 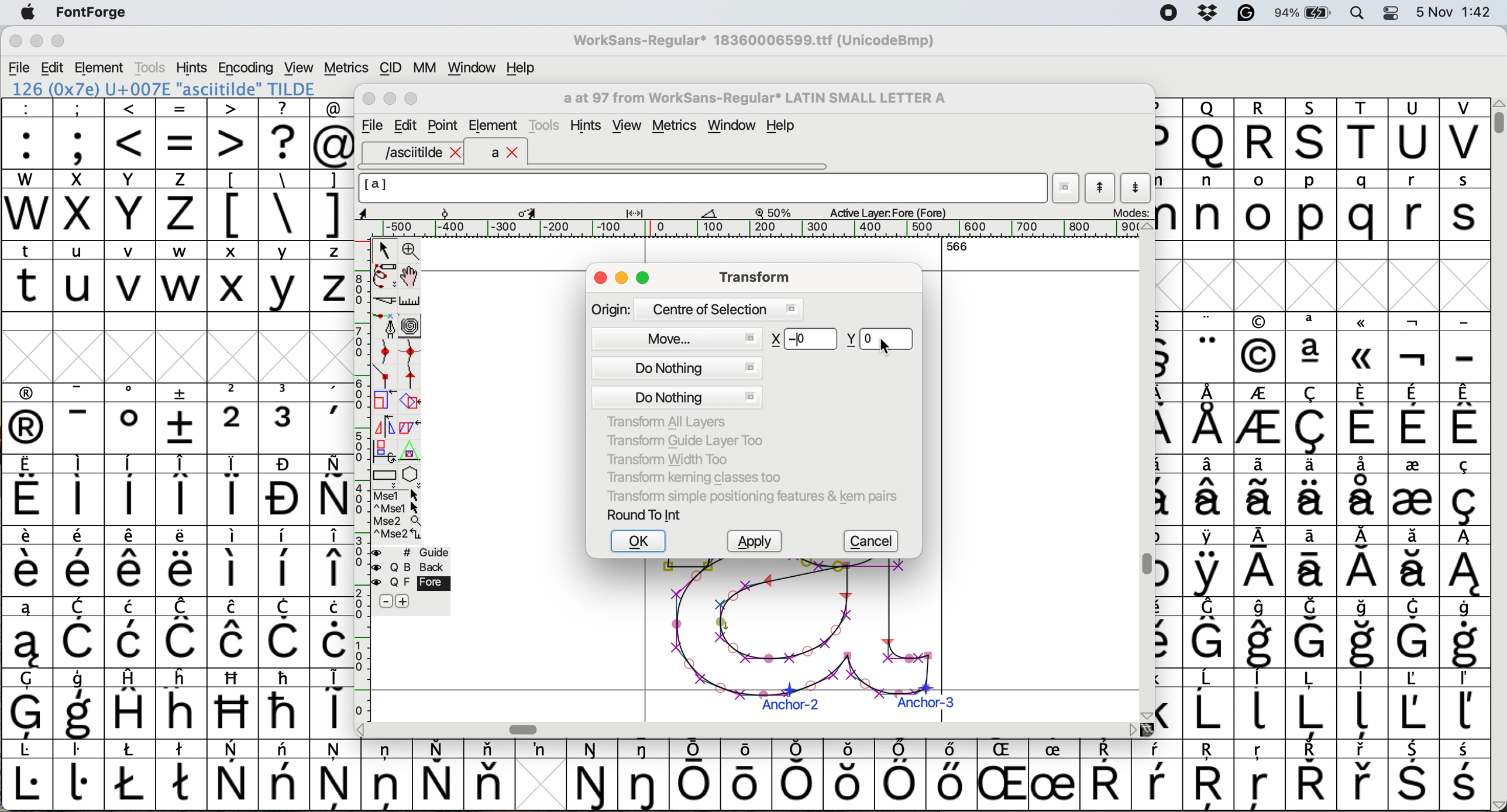 I want to click on edit, so click(x=54, y=68).